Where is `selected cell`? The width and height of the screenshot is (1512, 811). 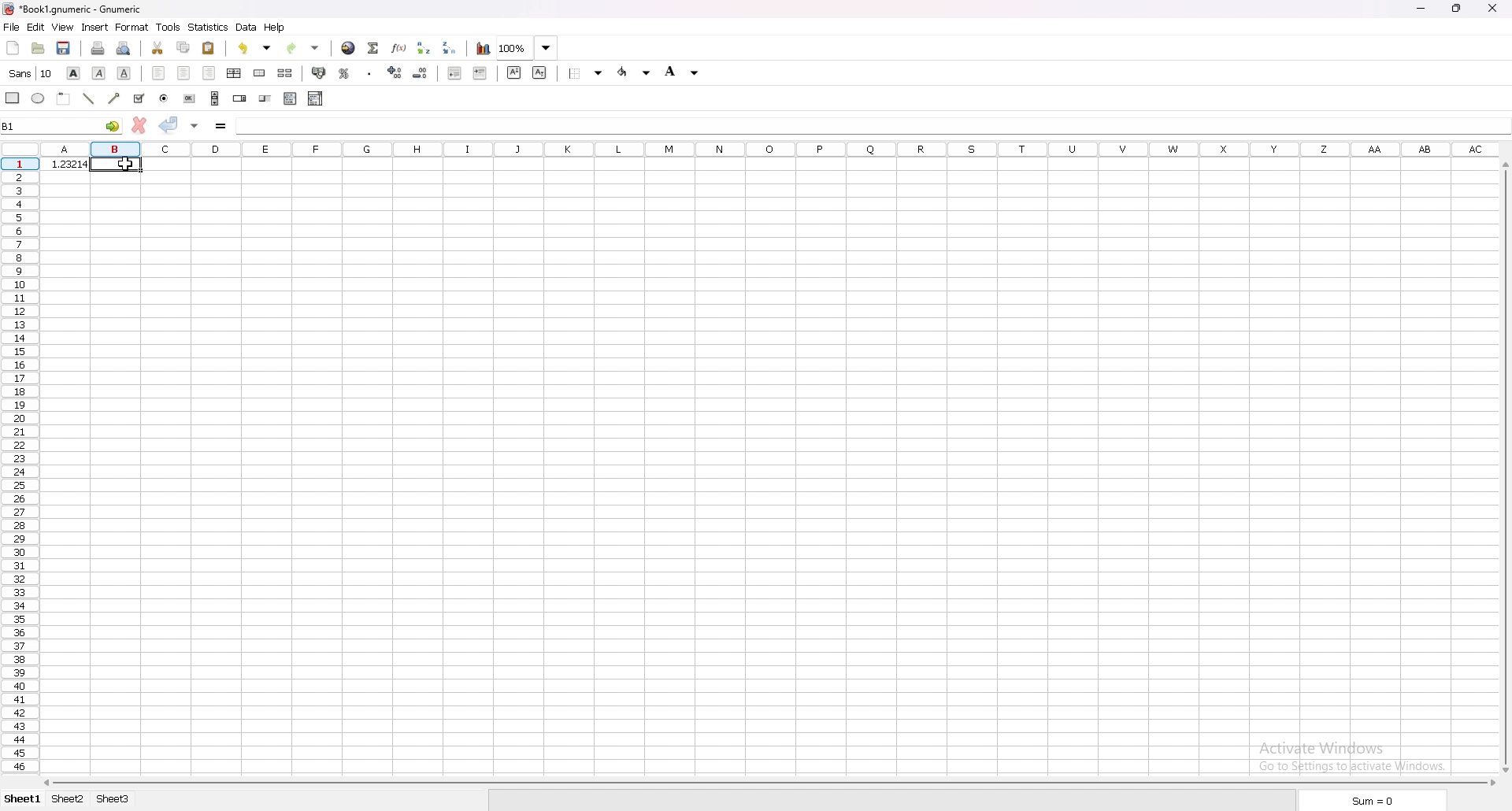 selected cell is located at coordinates (116, 165).